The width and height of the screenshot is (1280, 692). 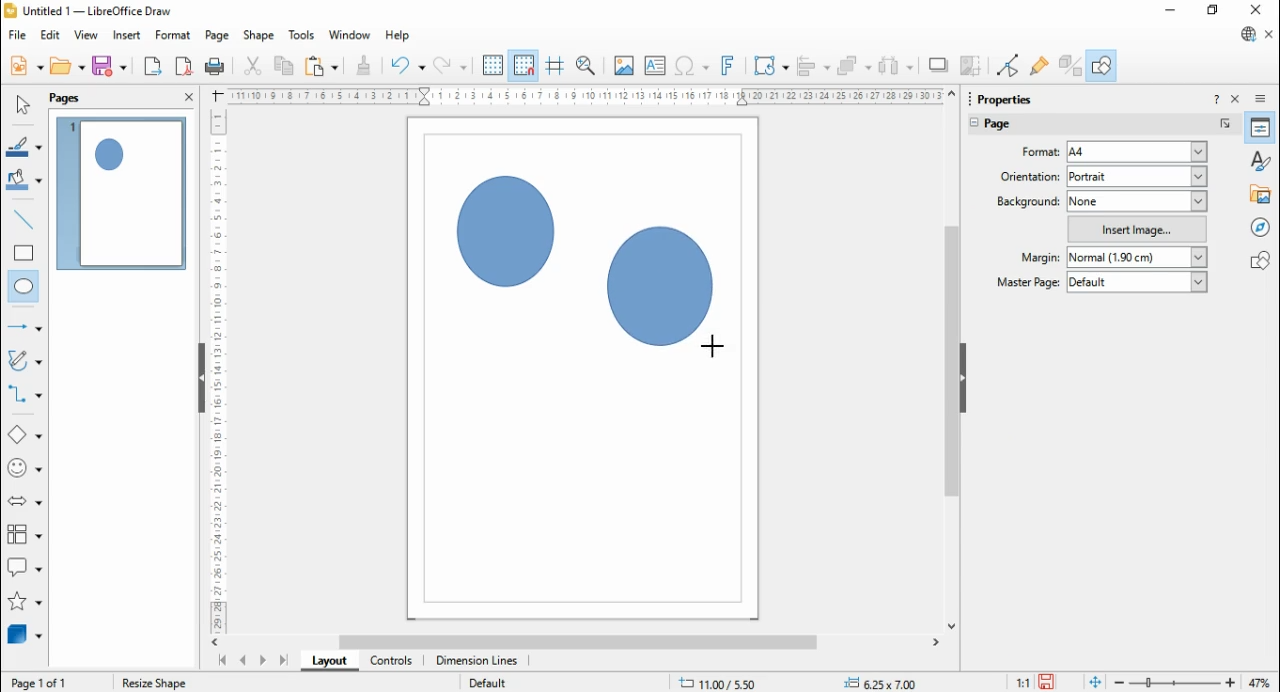 What do you see at coordinates (123, 193) in the screenshot?
I see `page 1` at bounding box center [123, 193].